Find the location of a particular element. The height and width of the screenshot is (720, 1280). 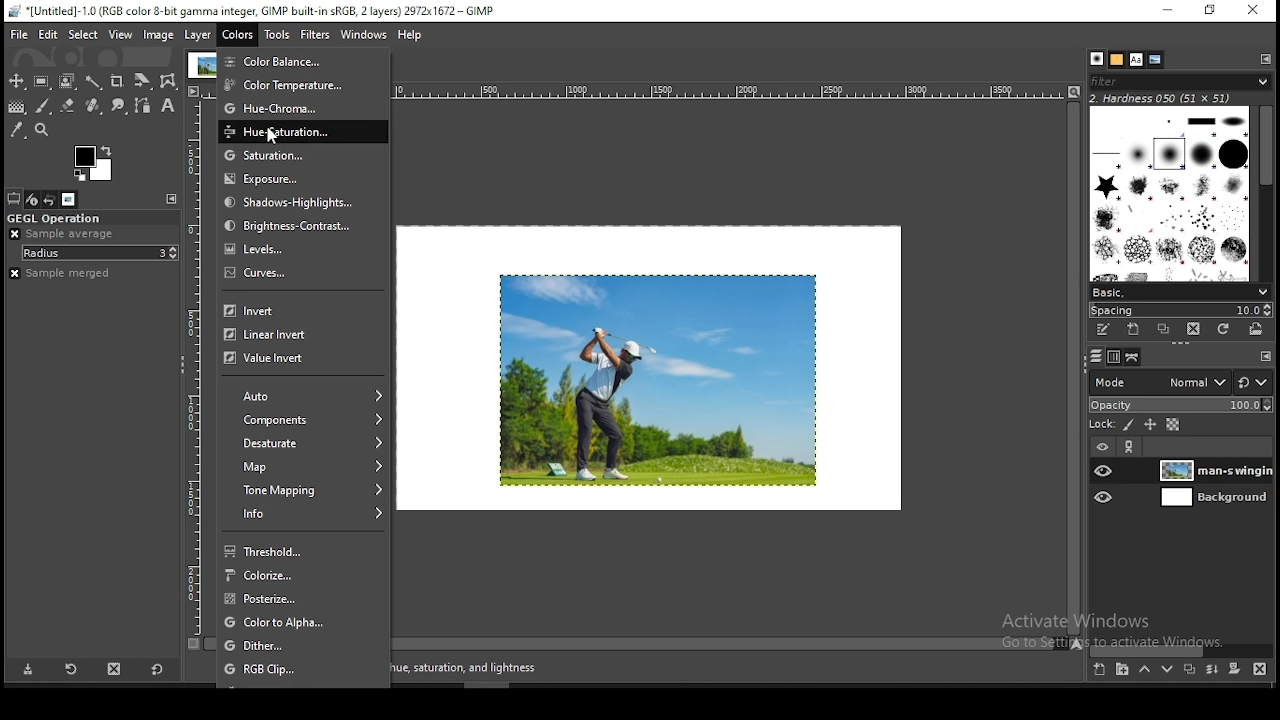

foreground select tool is located at coordinates (66, 81).